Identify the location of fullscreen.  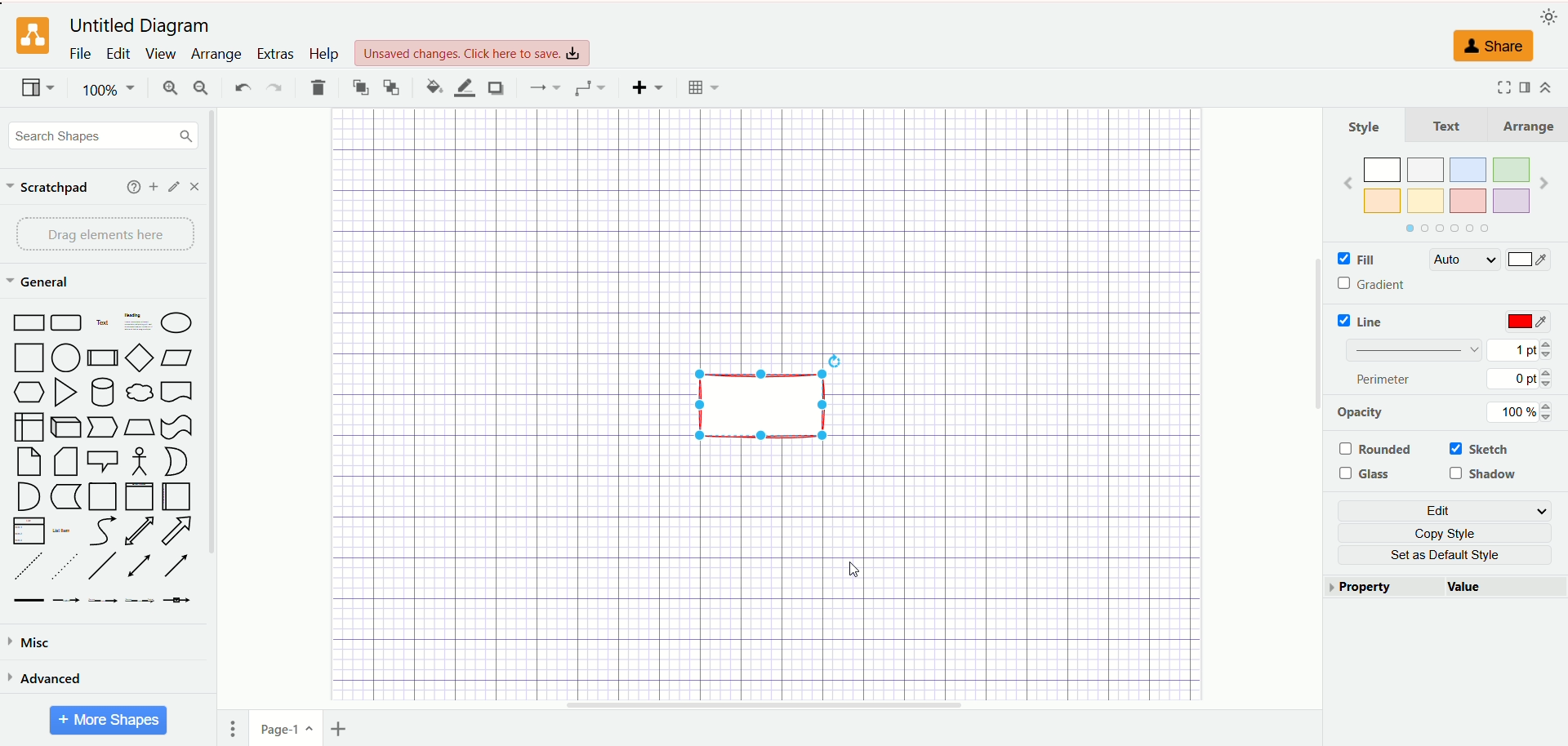
(1501, 87).